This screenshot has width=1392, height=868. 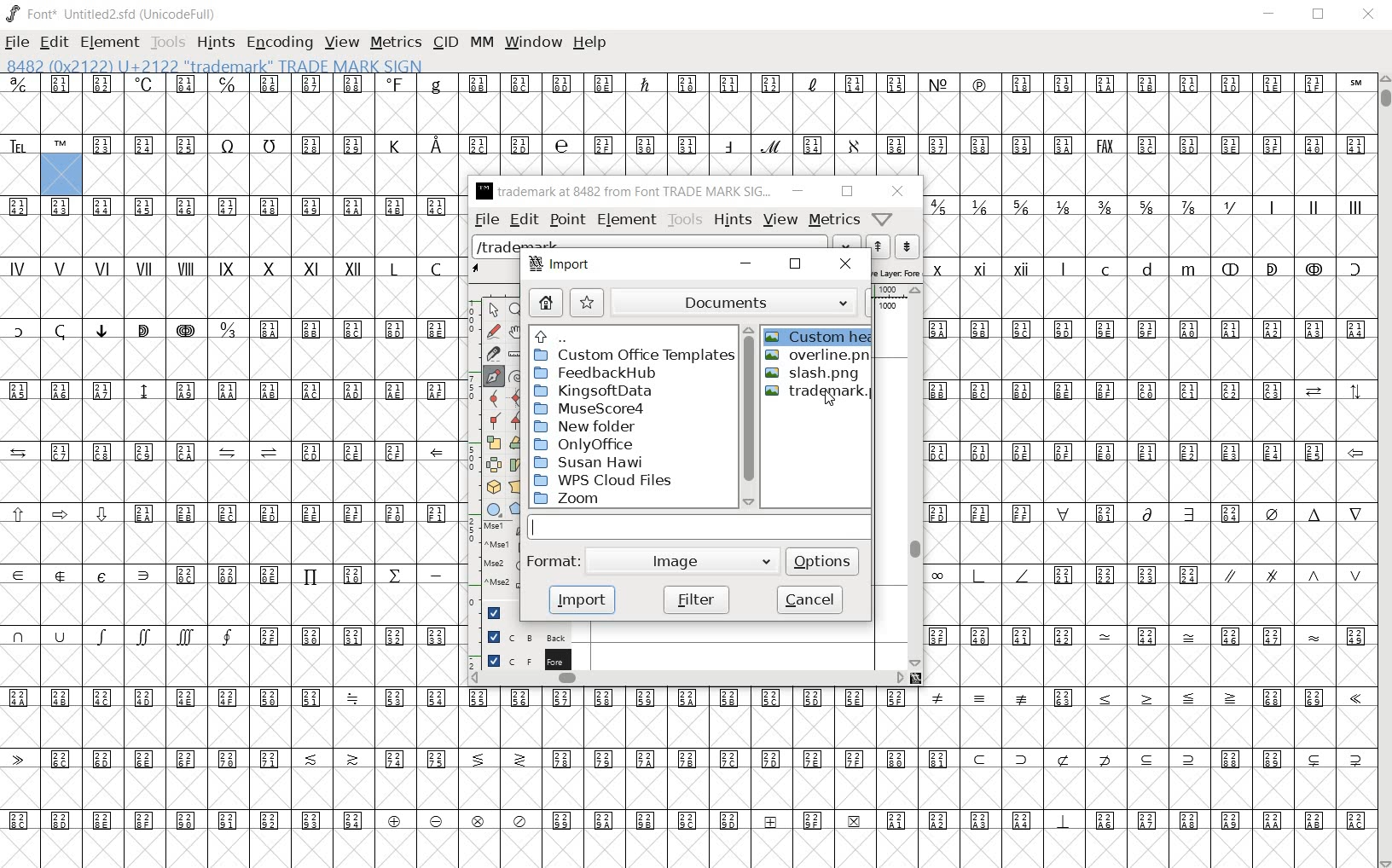 What do you see at coordinates (494, 310) in the screenshot?
I see `pointer` at bounding box center [494, 310].